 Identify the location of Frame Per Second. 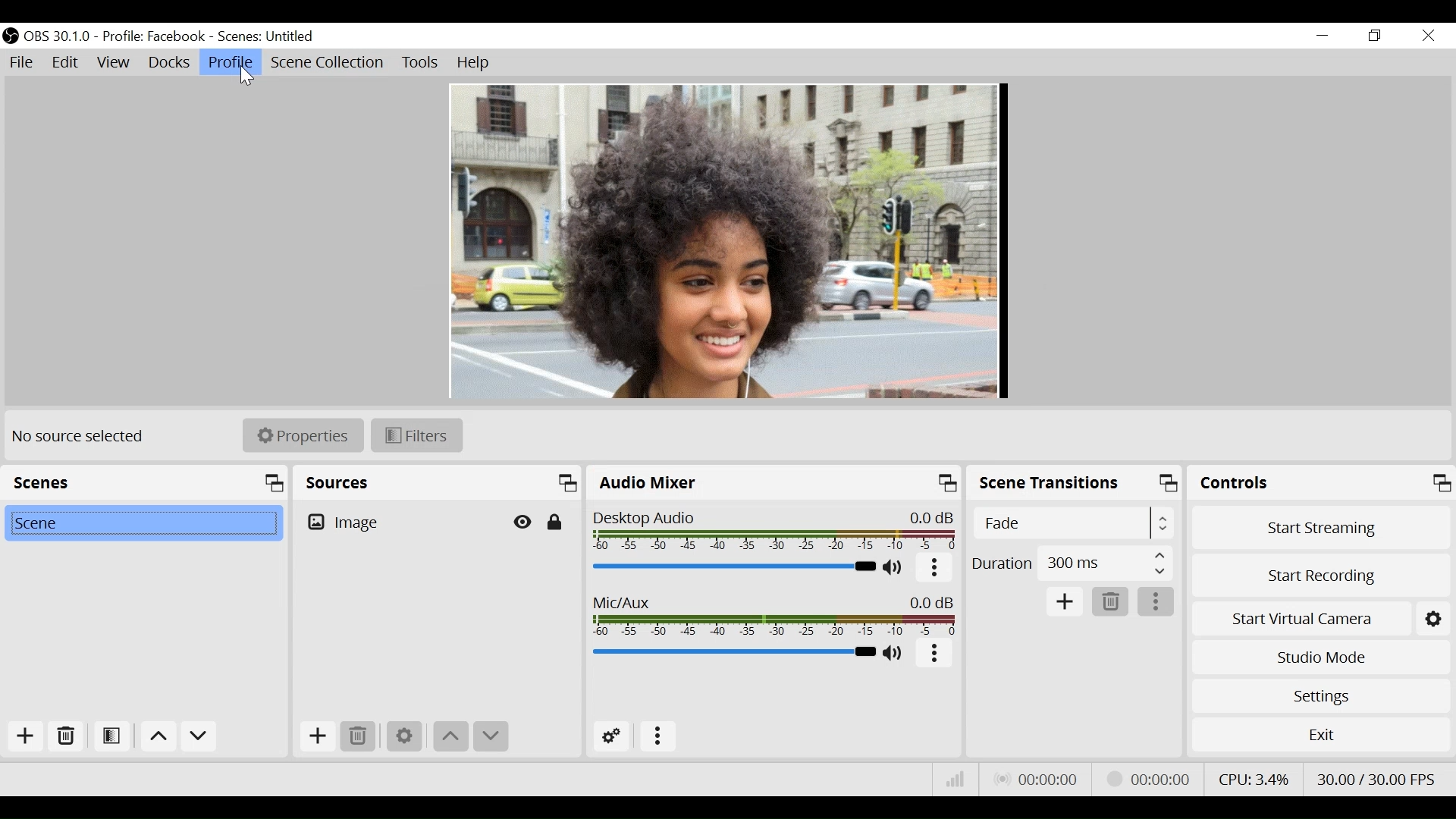
(1376, 777).